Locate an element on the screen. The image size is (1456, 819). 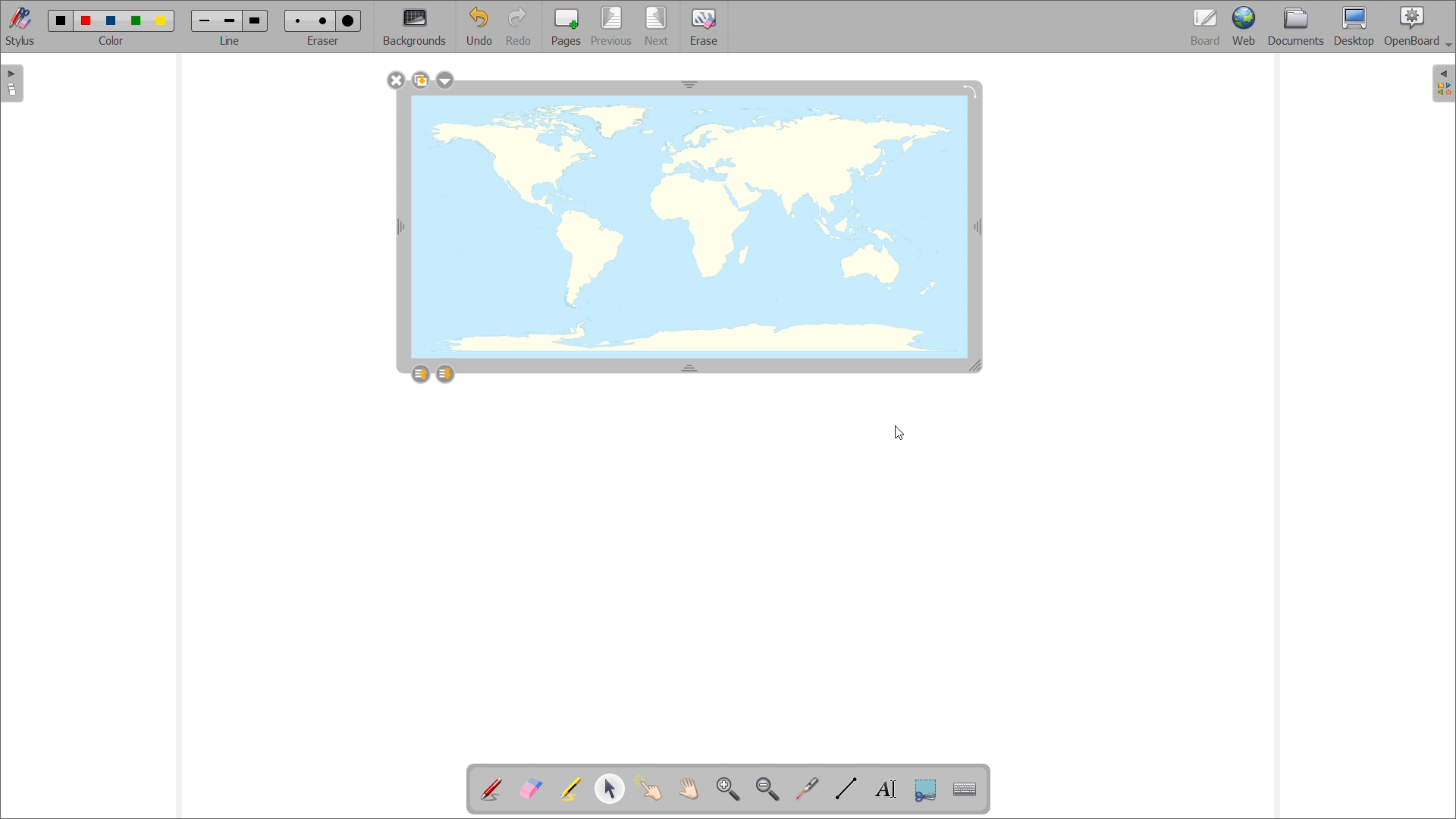
scroll page is located at coordinates (689, 788).